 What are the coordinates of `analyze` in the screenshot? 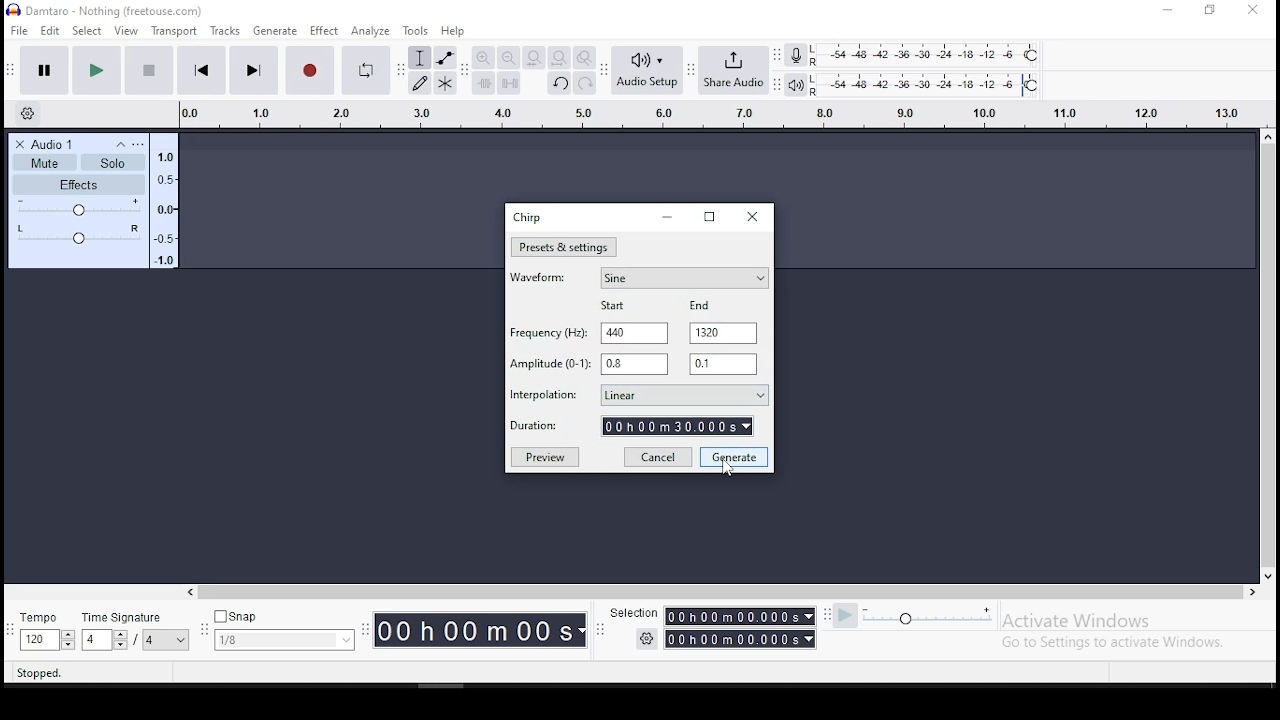 It's located at (370, 30).